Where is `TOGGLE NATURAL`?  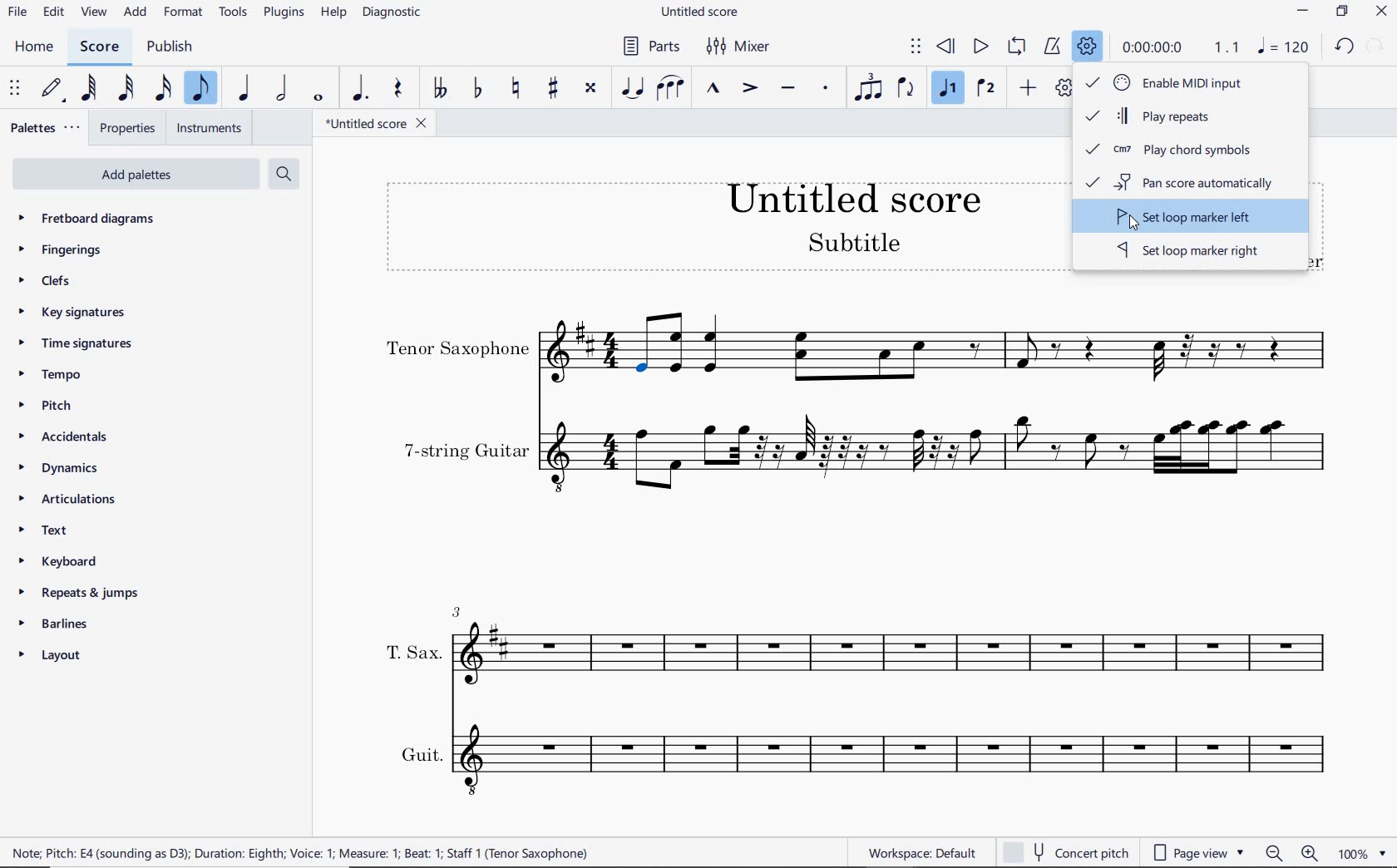 TOGGLE NATURAL is located at coordinates (516, 88).